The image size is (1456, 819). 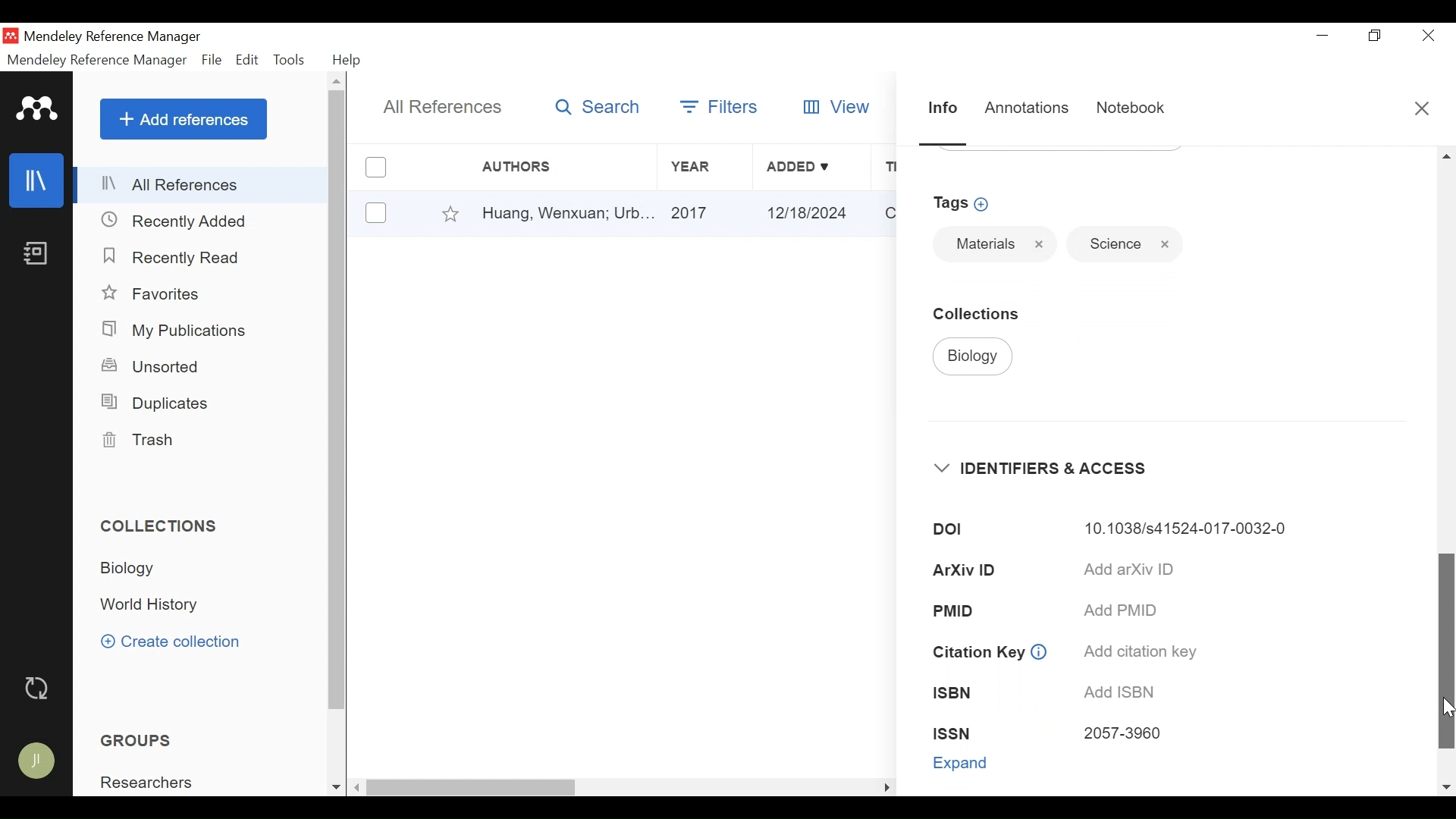 What do you see at coordinates (973, 357) in the screenshot?
I see `Biology` at bounding box center [973, 357].